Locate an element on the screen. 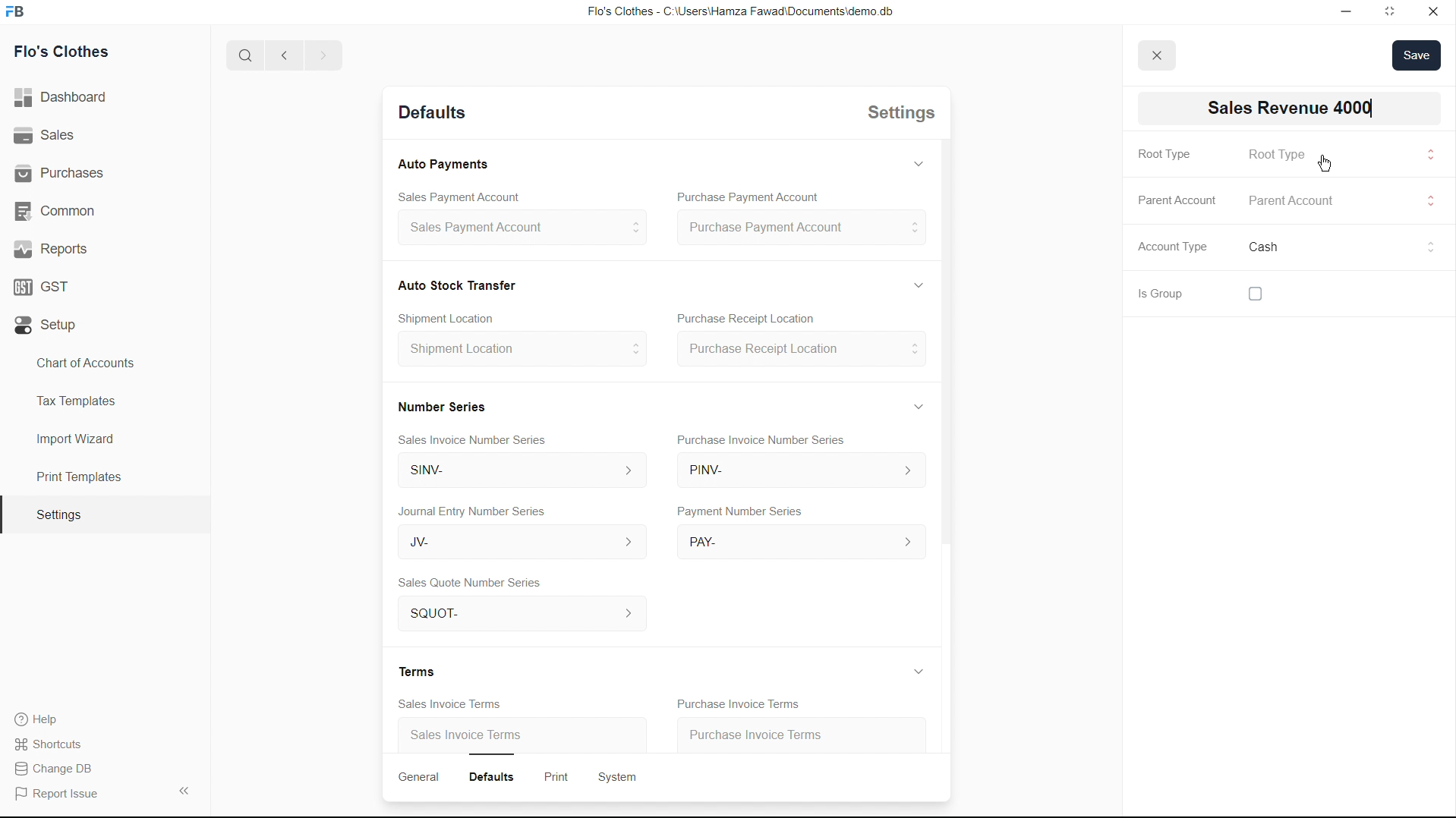 This screenshot has height=818, width=1456. General is located at coordinates (421, 777).